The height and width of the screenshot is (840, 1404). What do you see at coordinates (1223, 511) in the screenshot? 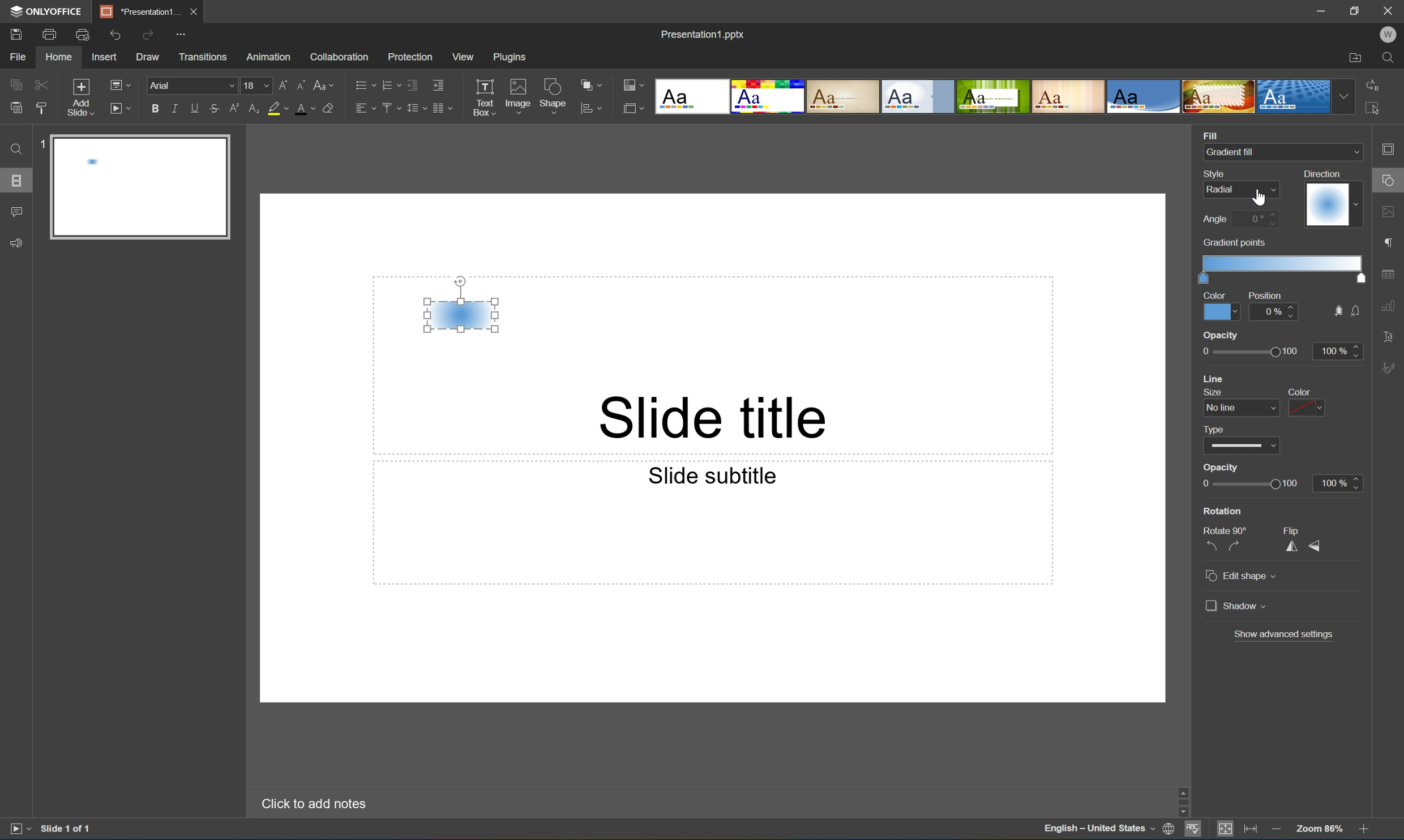
I see `Rotation` at bounding box center [1223, 511].